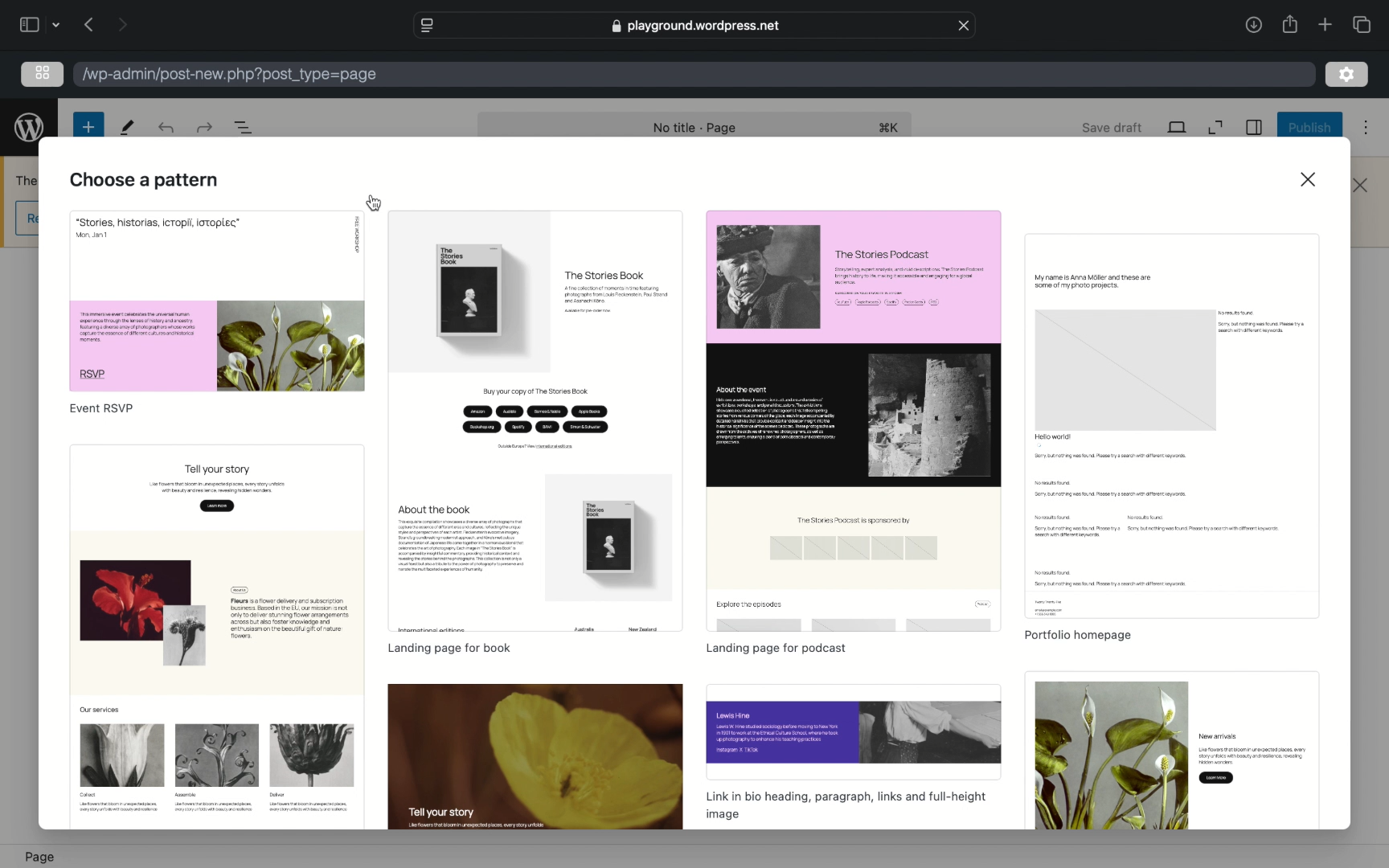 This screenshot has width=1389, height=868. Describe the element at coordinates (1366, 128) in the screenshot. I see `more options` at that location.